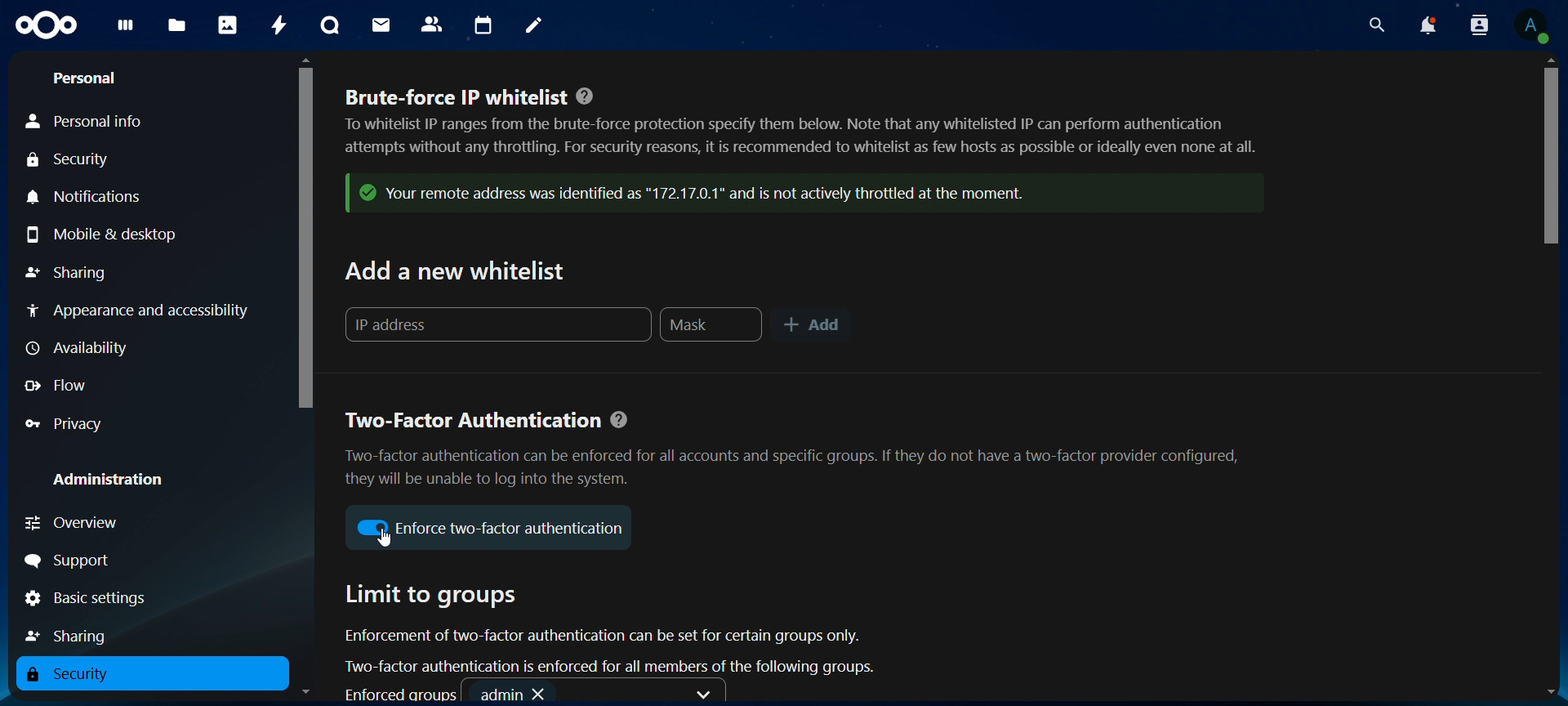 The width and height of the screenshot is (1568, 706). What do you see at coordinates (306, 379) in the screenshot?
I see `Scrollbar` at bounding box center [306, 379].